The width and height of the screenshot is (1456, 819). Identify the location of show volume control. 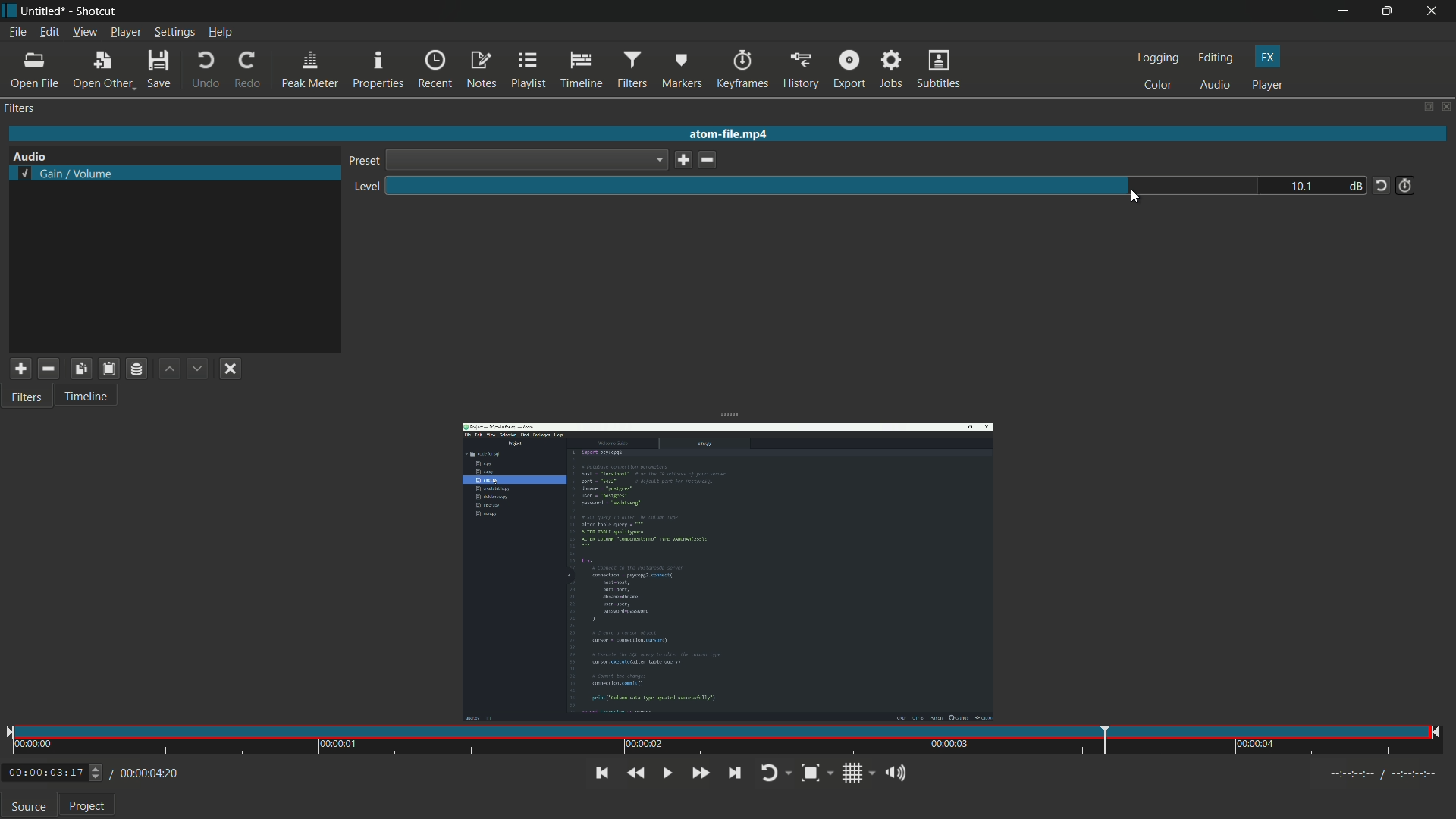
(900, 775).